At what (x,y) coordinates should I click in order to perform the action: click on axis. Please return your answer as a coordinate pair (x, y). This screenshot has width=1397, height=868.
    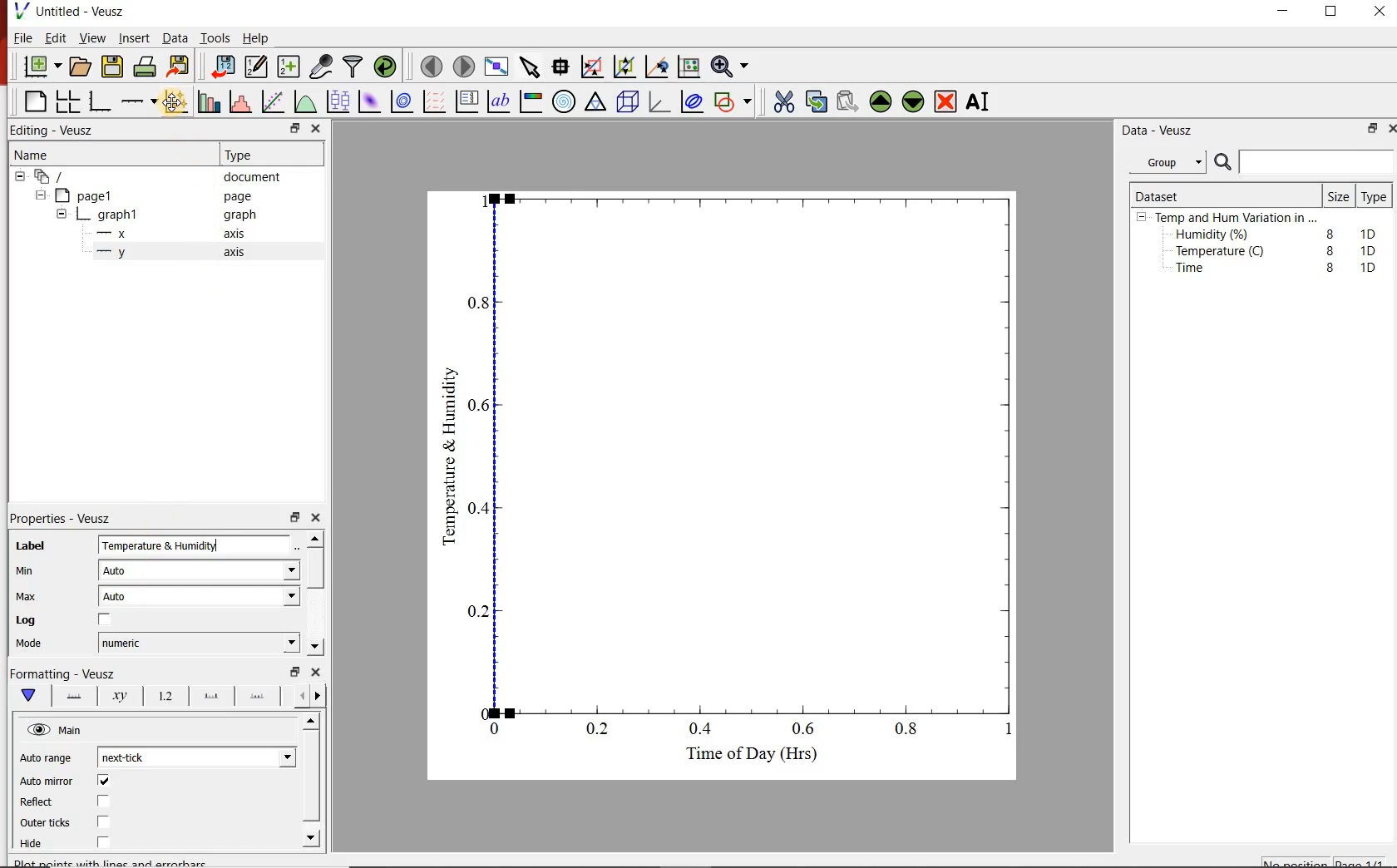
    Looking at the image, I should click on (239, 235).